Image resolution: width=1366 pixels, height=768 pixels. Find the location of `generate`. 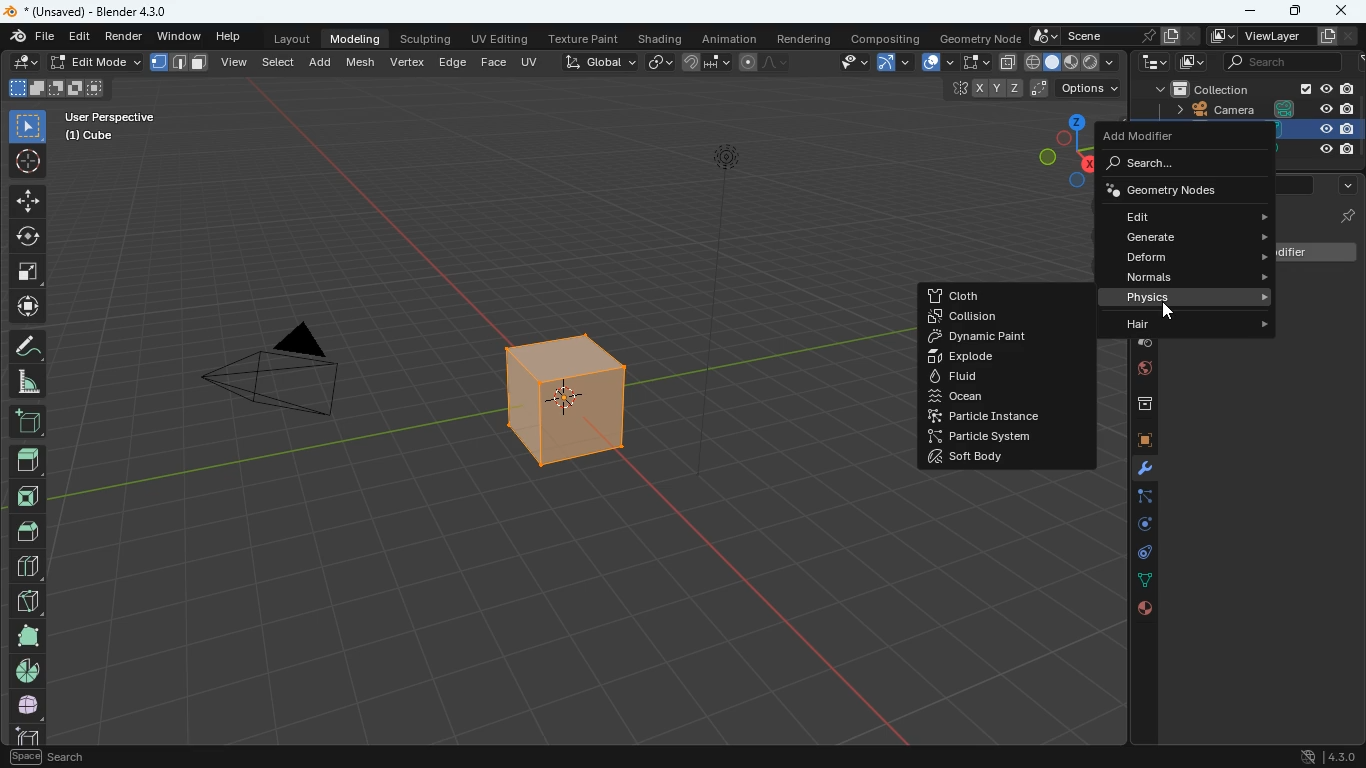

generate is located at coordinates (1194, 237).